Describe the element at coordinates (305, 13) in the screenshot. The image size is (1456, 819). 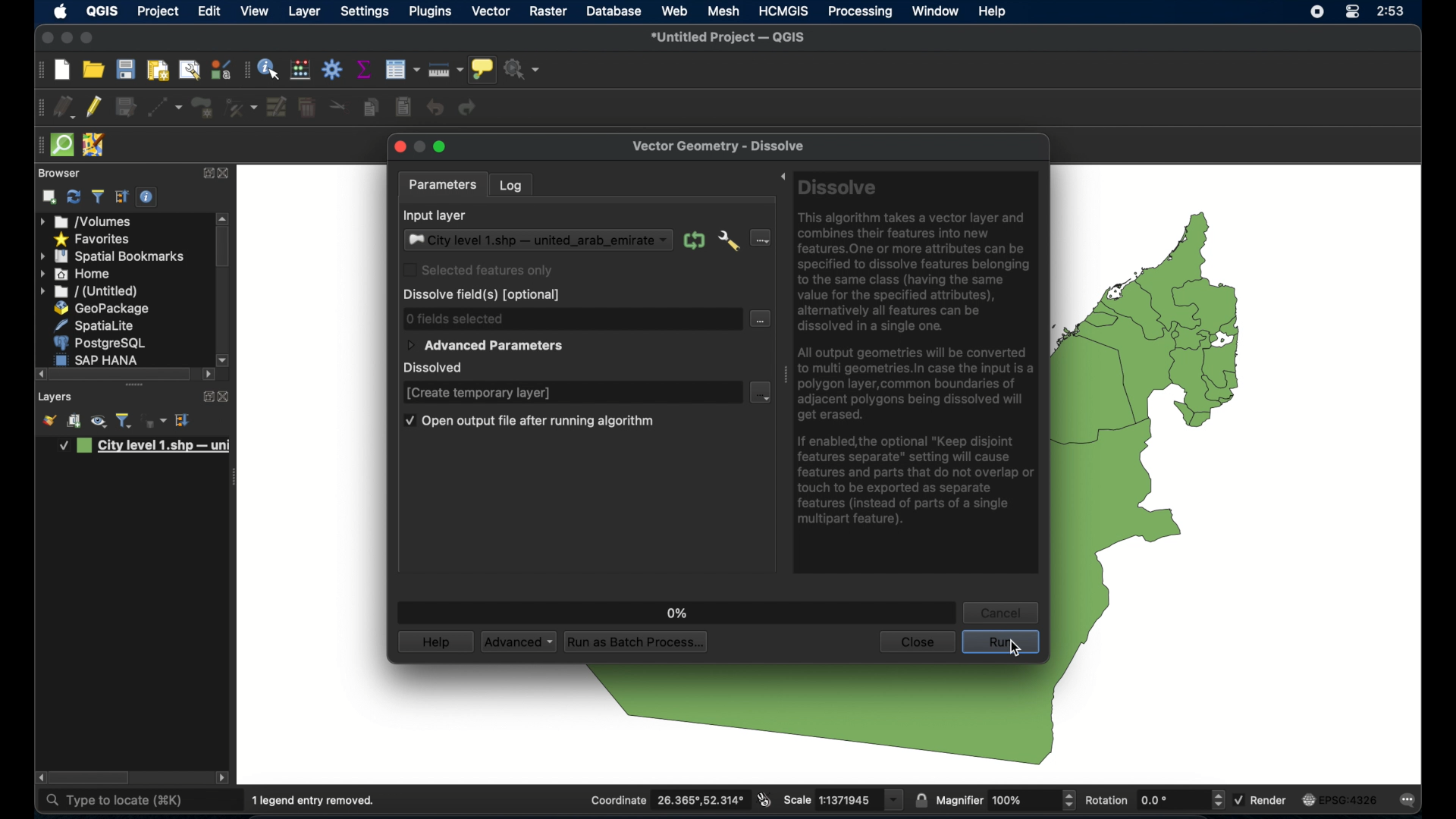
I see `layer` at that location.